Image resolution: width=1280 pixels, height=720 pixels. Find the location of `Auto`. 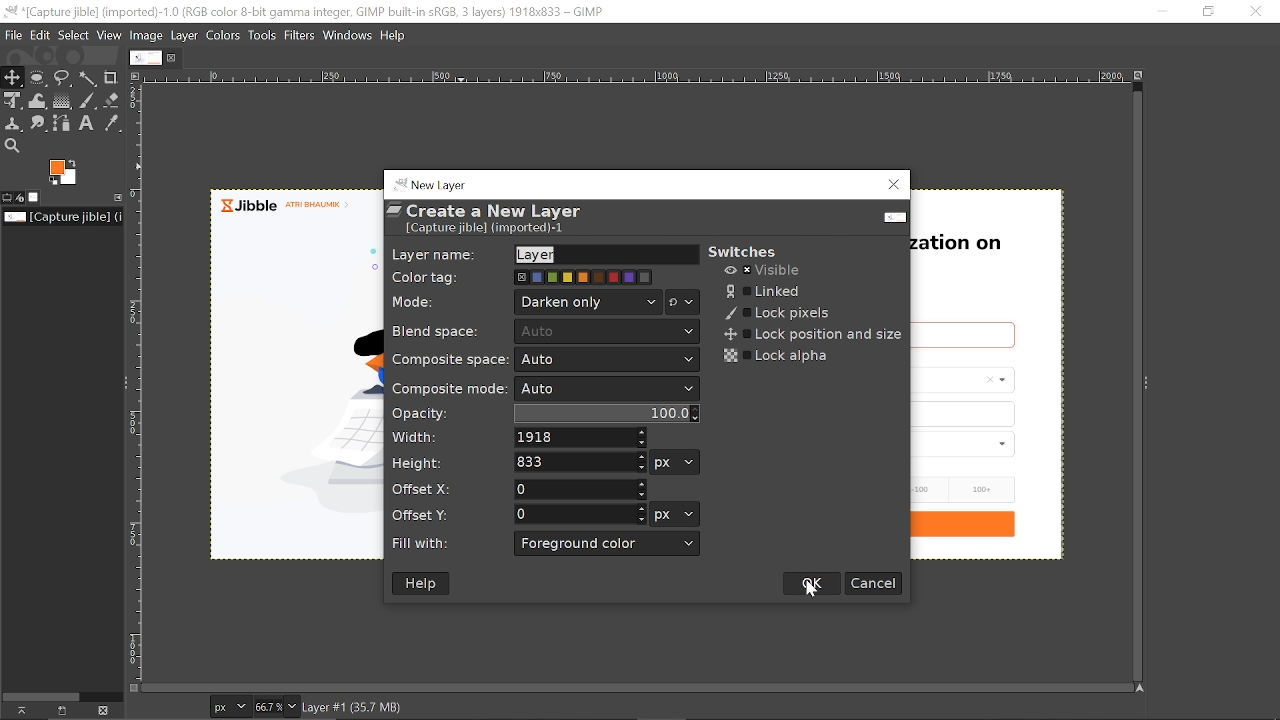

Auto is located at coordinates (608, 332).